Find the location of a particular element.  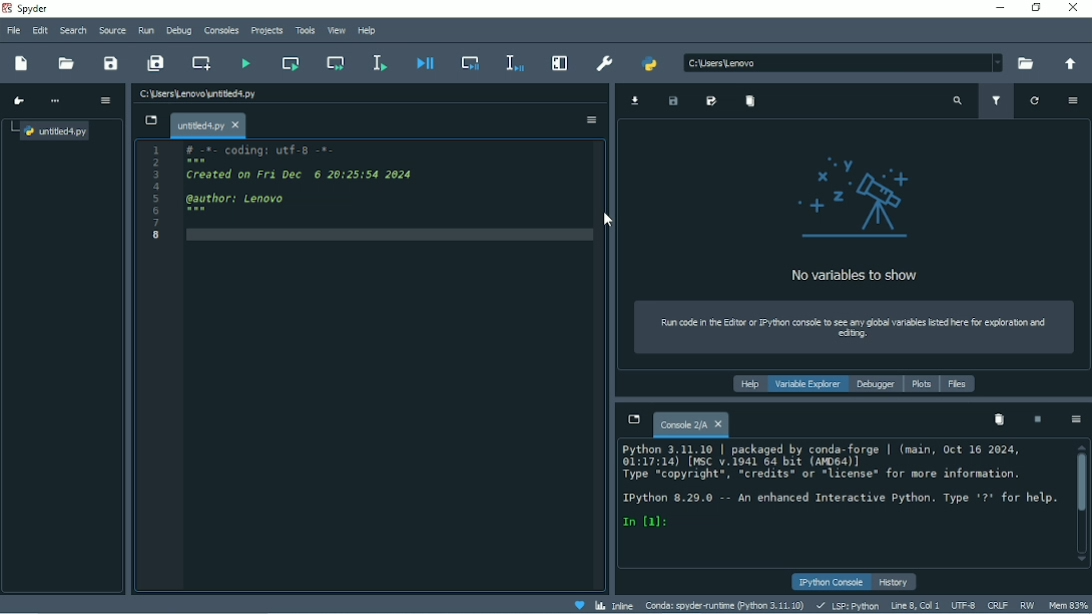

File is located at coordinates (12, 31).